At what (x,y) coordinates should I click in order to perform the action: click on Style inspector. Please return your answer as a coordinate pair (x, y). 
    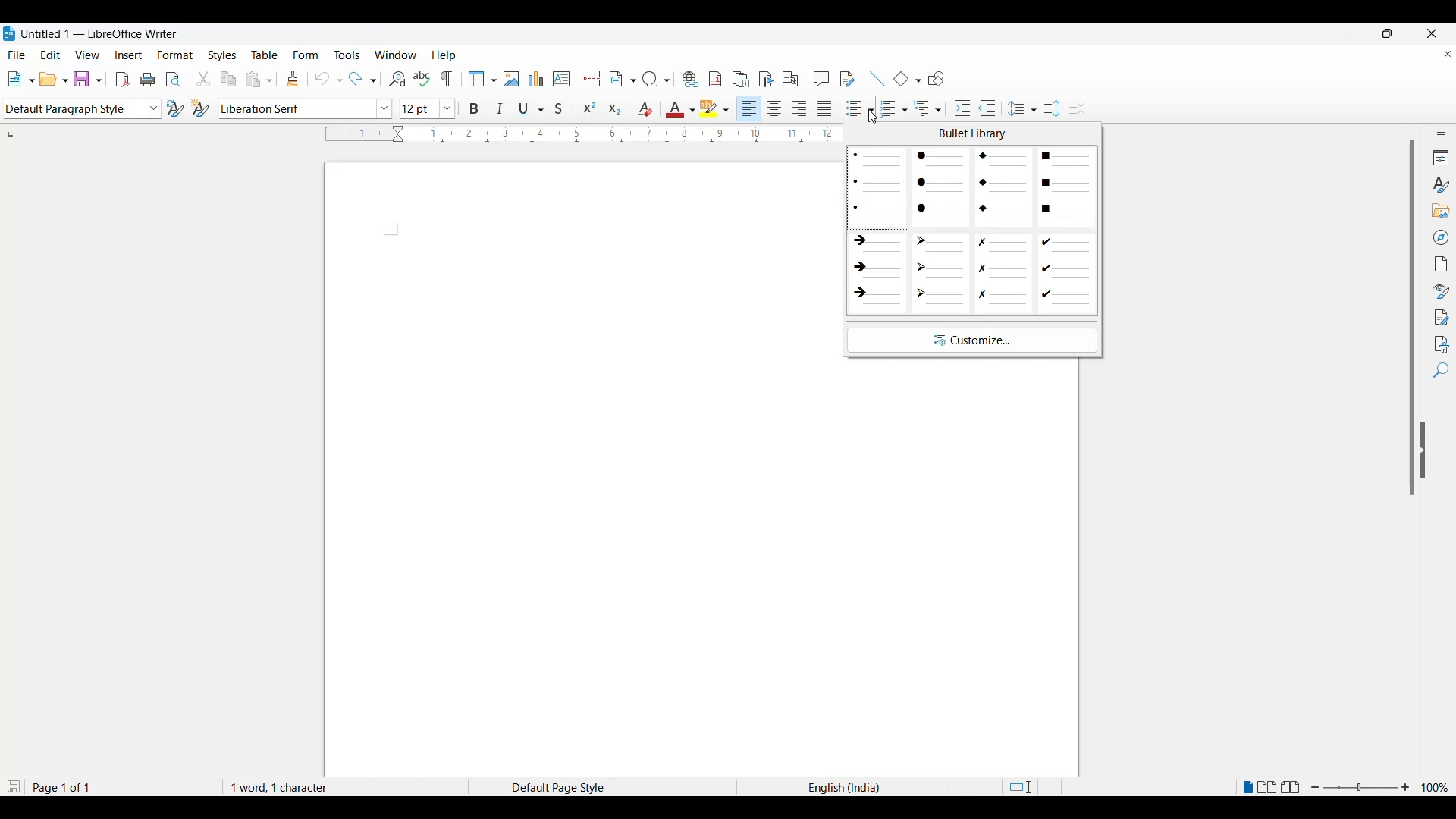
    Looking at the image, I should click on (1438, 288).